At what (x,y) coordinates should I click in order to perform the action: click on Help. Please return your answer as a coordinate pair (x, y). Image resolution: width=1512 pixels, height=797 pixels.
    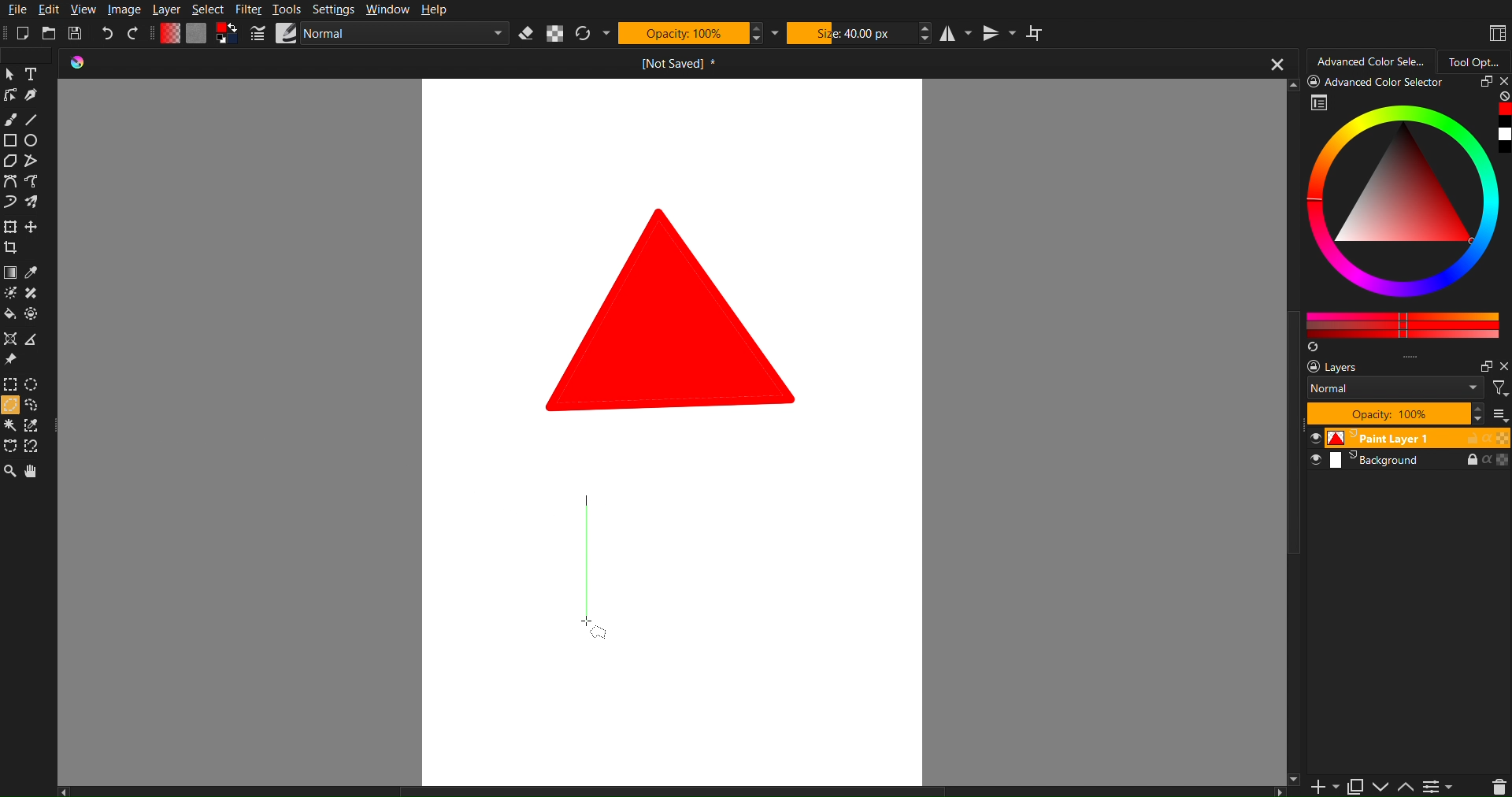
    Looking at the image, I should click on (435, 11).